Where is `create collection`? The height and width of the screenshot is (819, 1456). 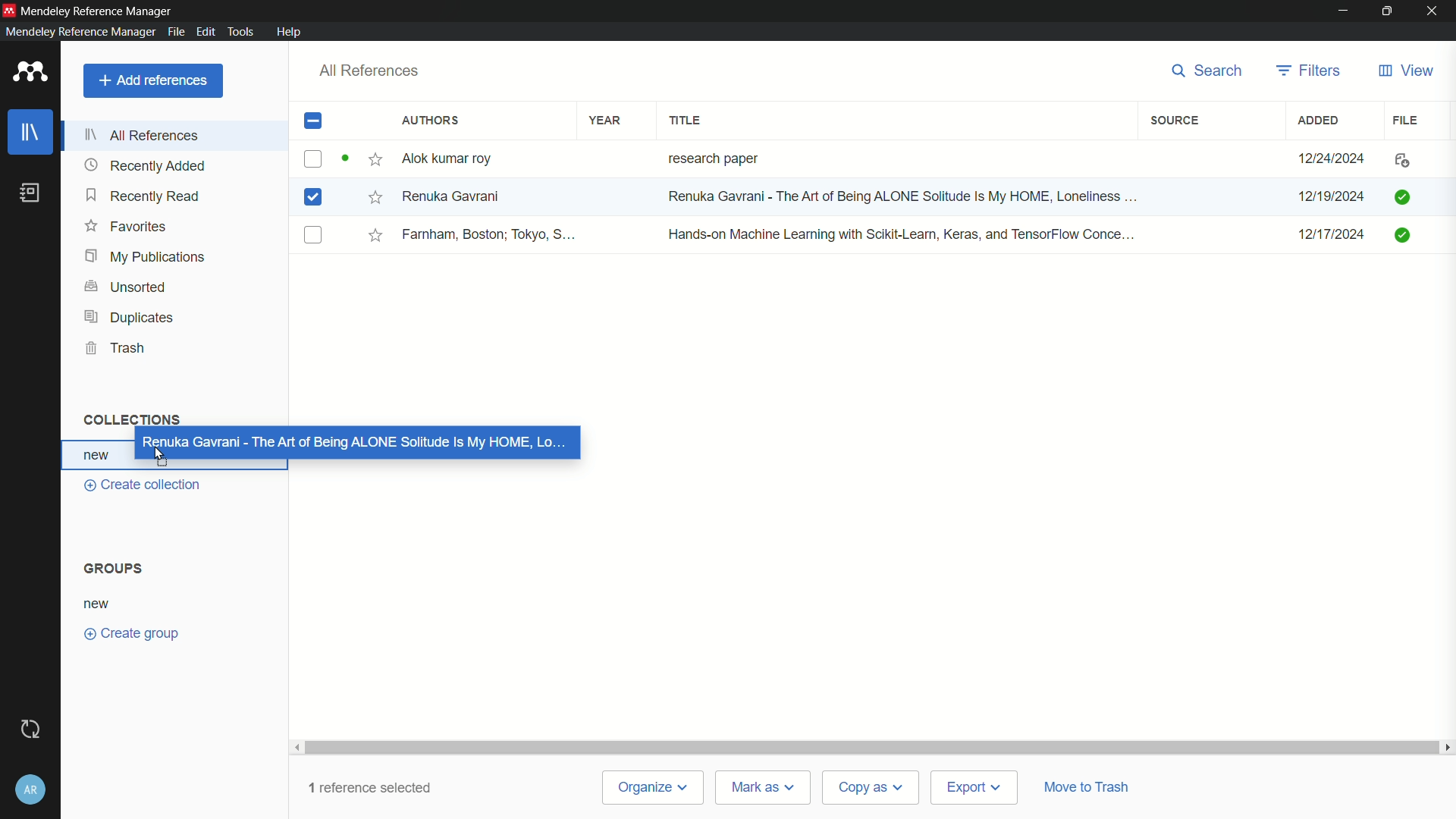 create collection is located at coordinates (143, 487).